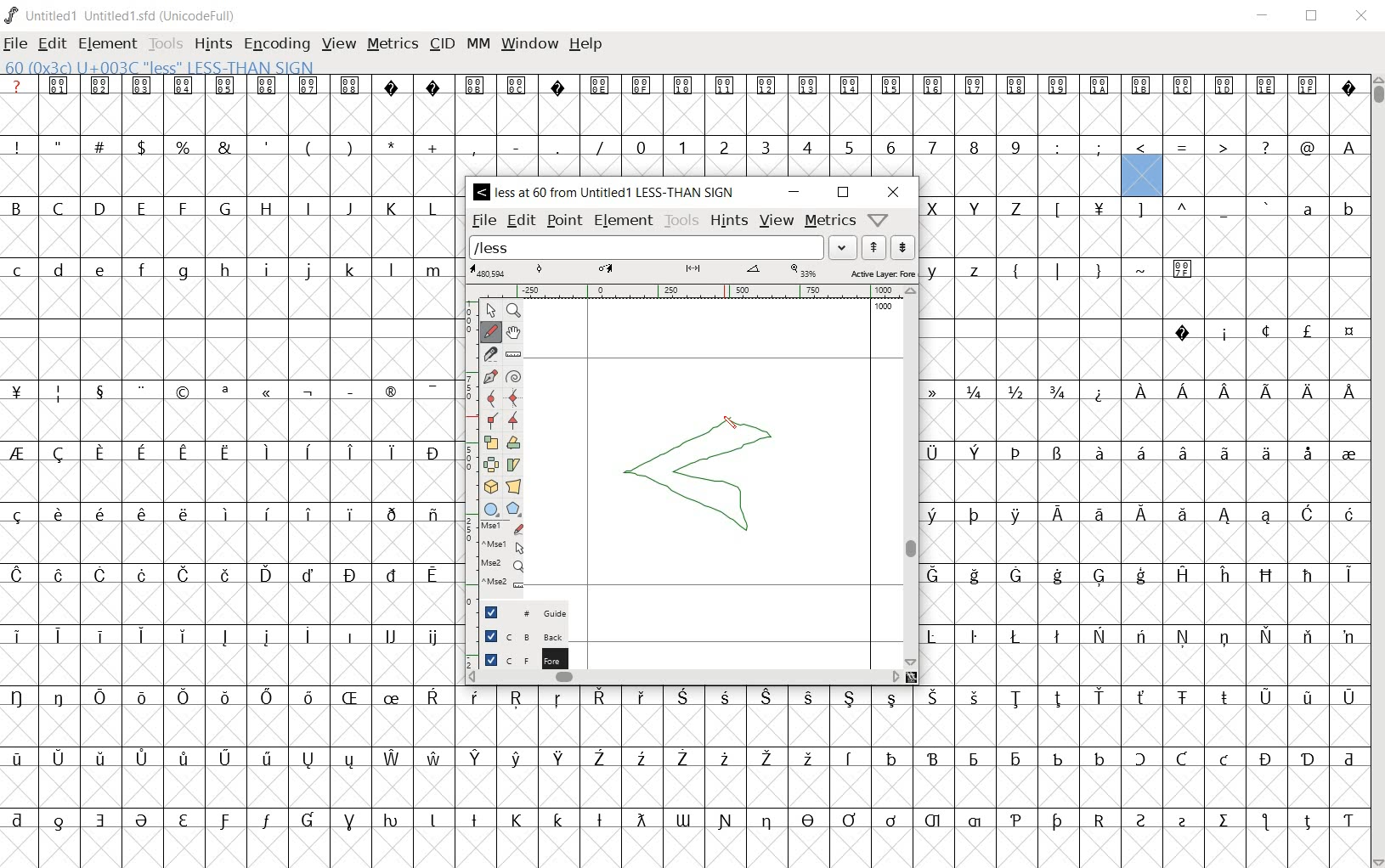 This screenshot has height=868, width=1385. What do you see at coordinates (212, 45) in the screenshot?
I see `hints` at bounding box center [212, 45].